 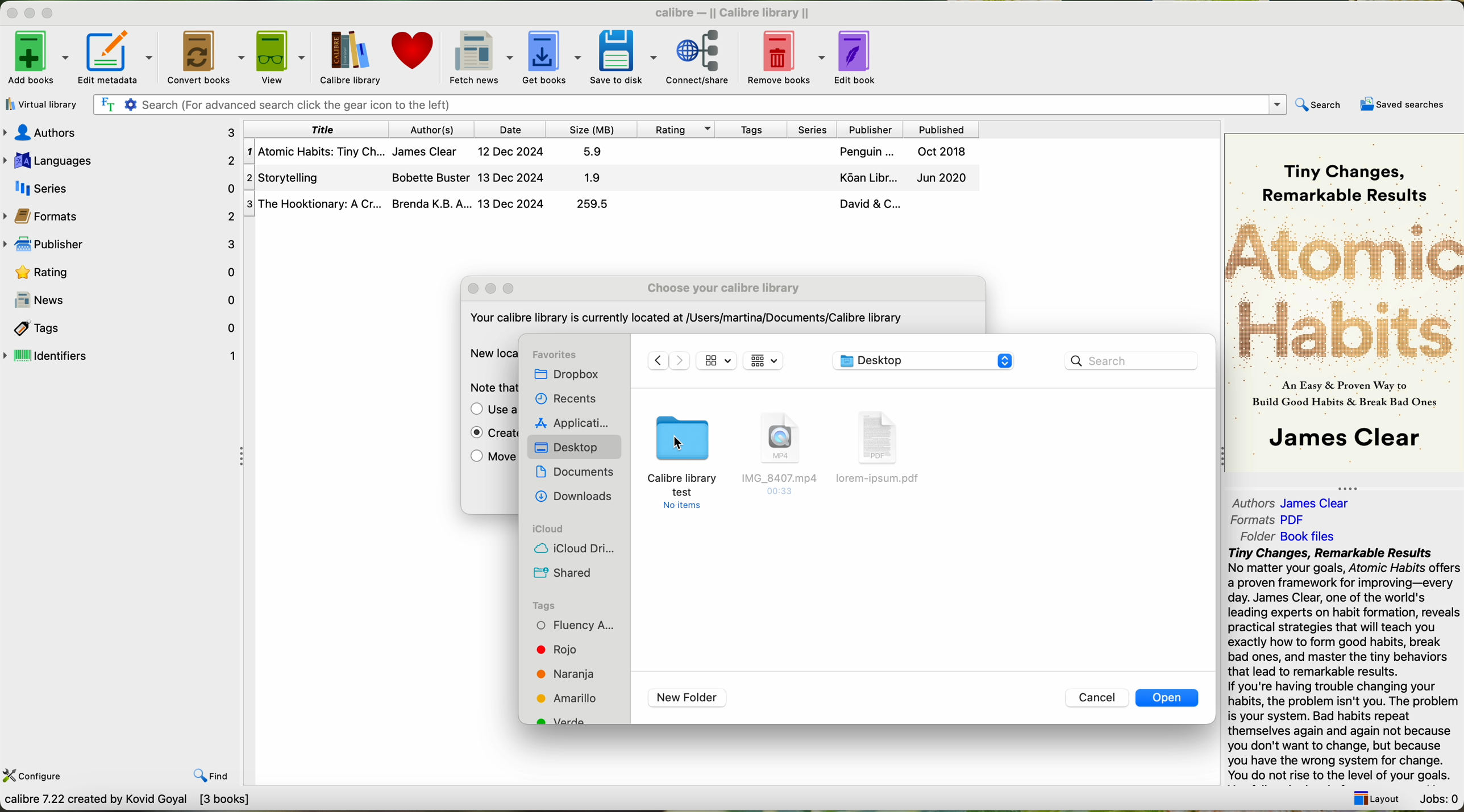 I want to click on enable create an empty library, so click(x=489, y=435).